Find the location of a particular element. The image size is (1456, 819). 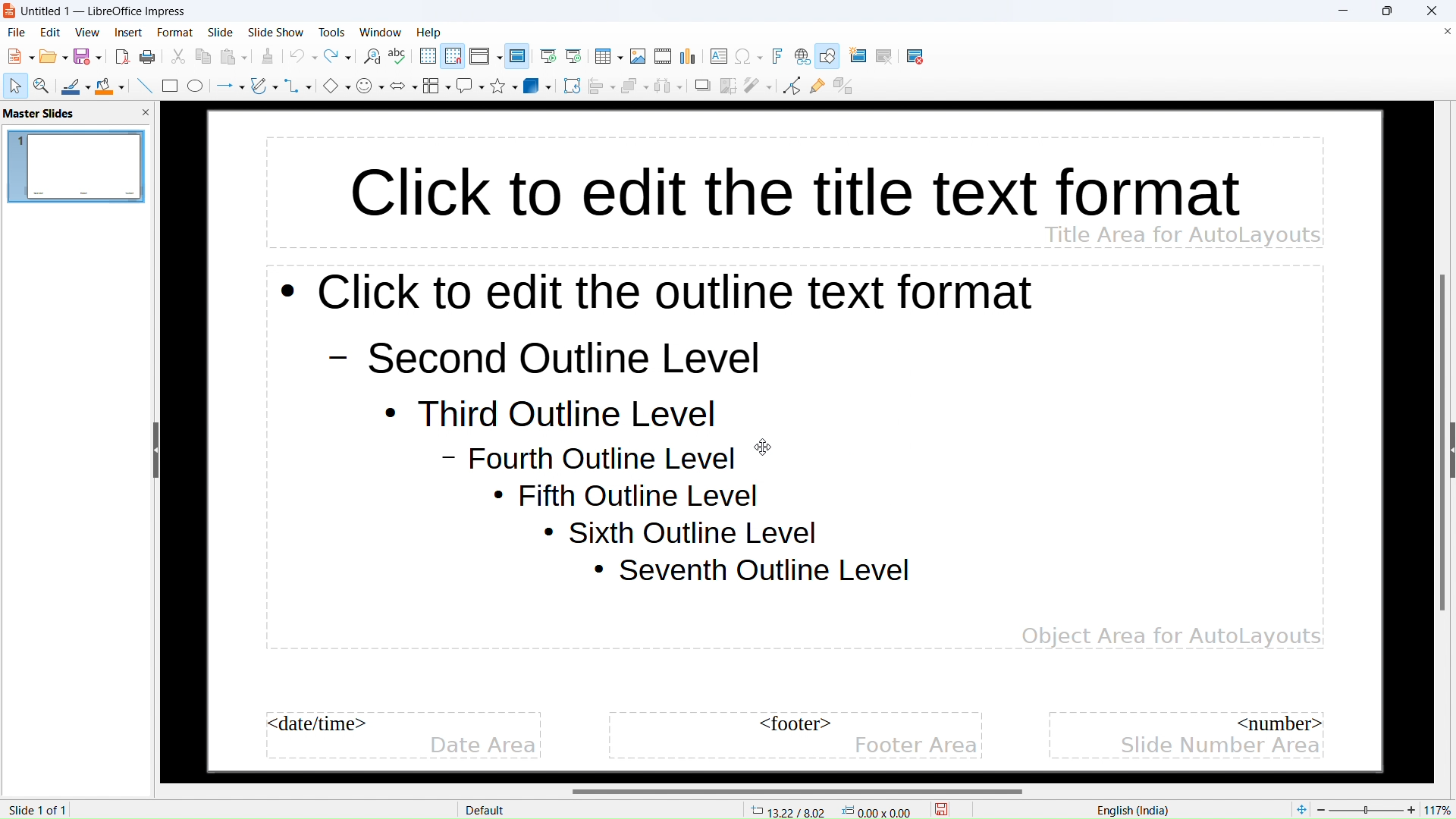

open is located at coordinates (54, 56).